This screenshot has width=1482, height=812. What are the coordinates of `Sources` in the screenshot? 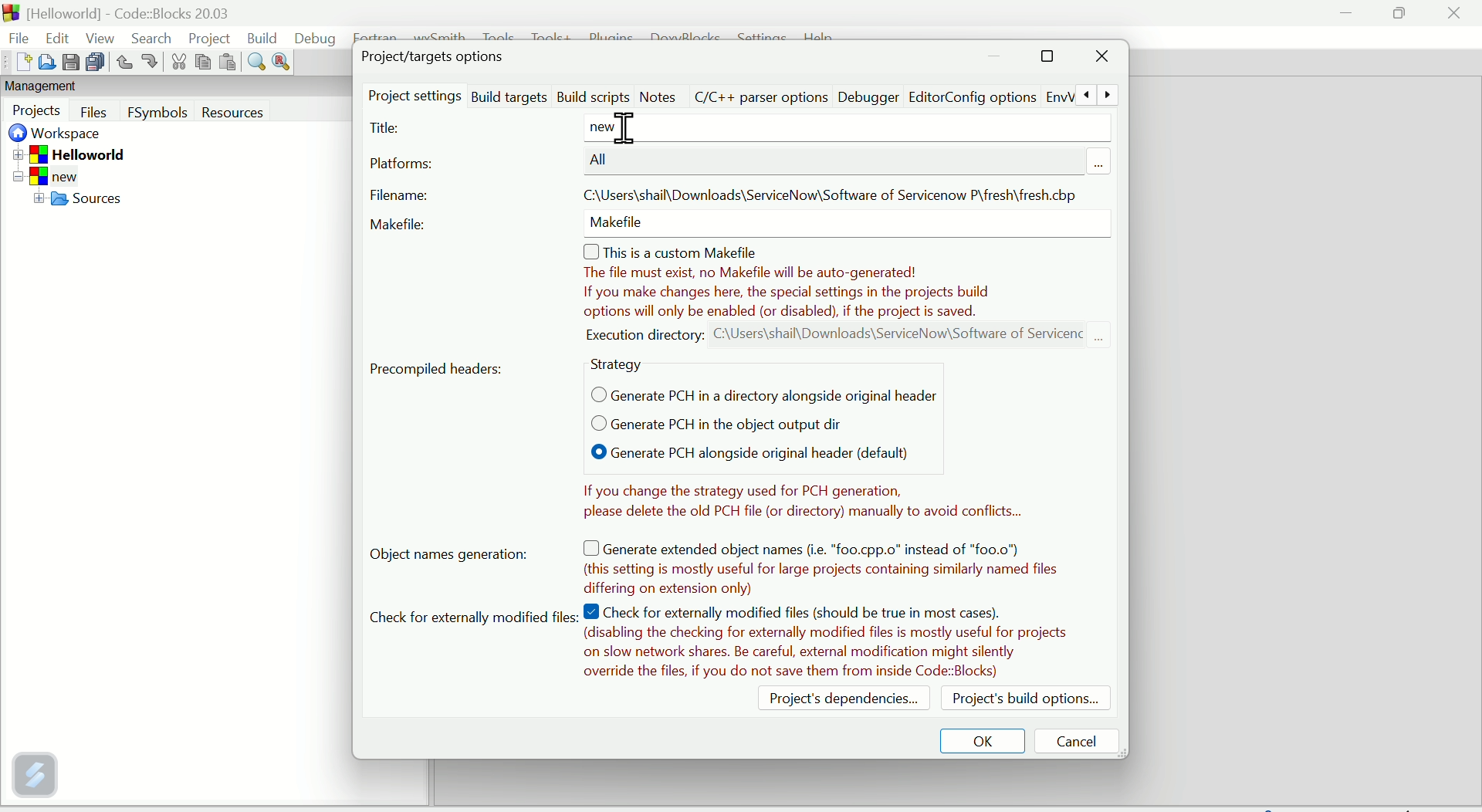 It's located at (102, 201).